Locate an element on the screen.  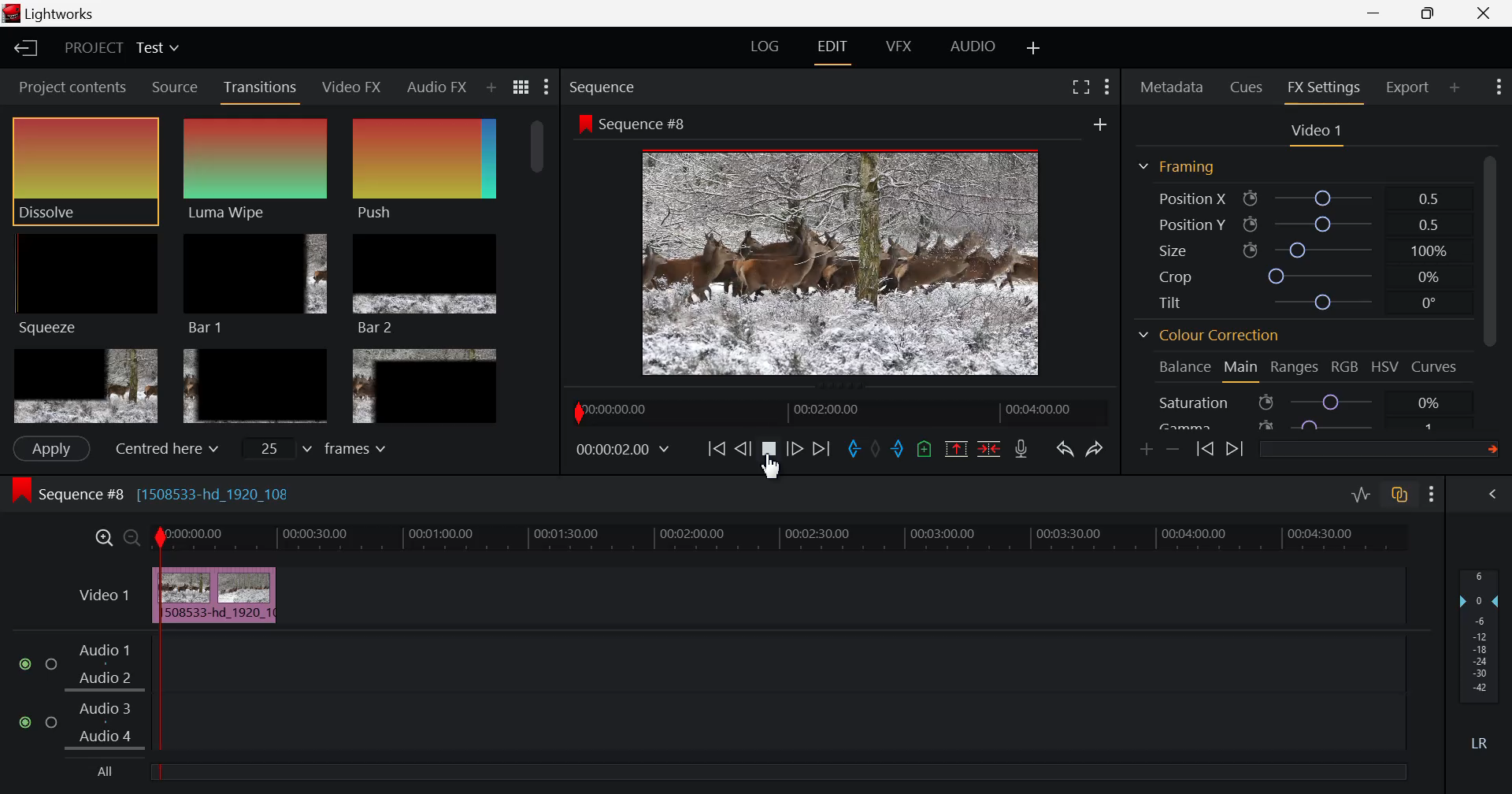
Box 4 is located at coordinates (84, 387).